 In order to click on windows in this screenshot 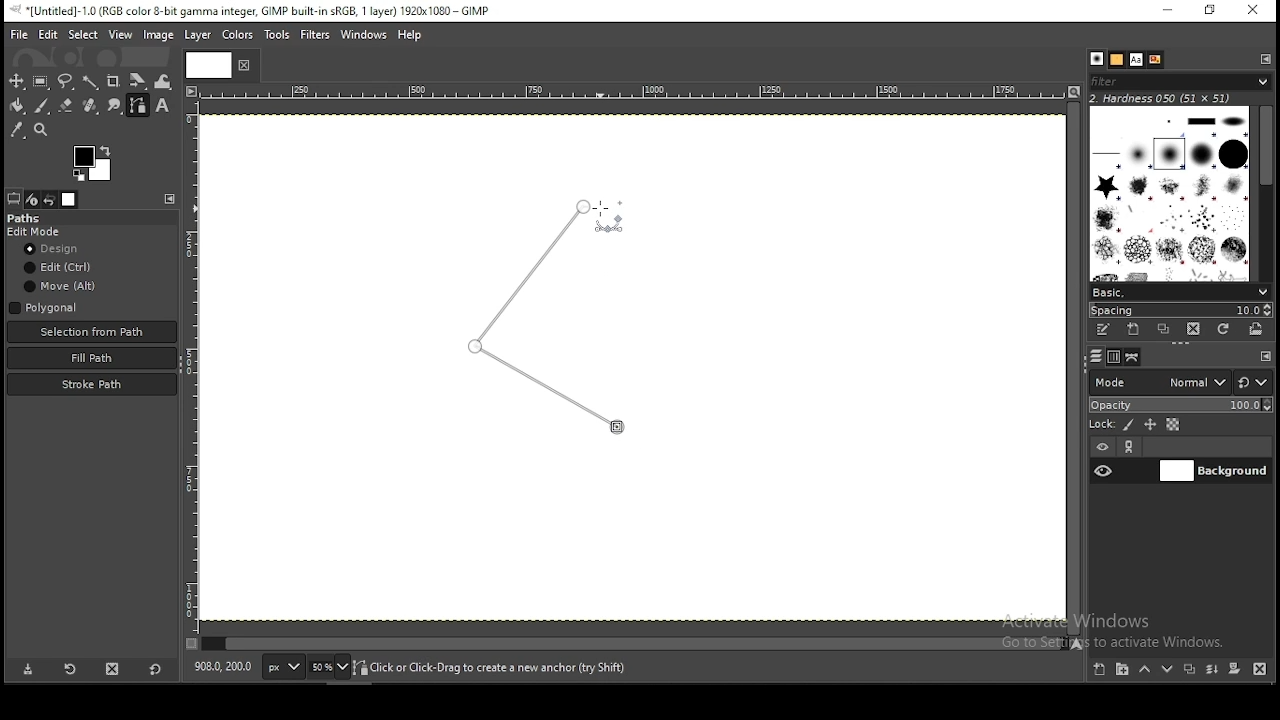, I will do `click(363, 33)`.